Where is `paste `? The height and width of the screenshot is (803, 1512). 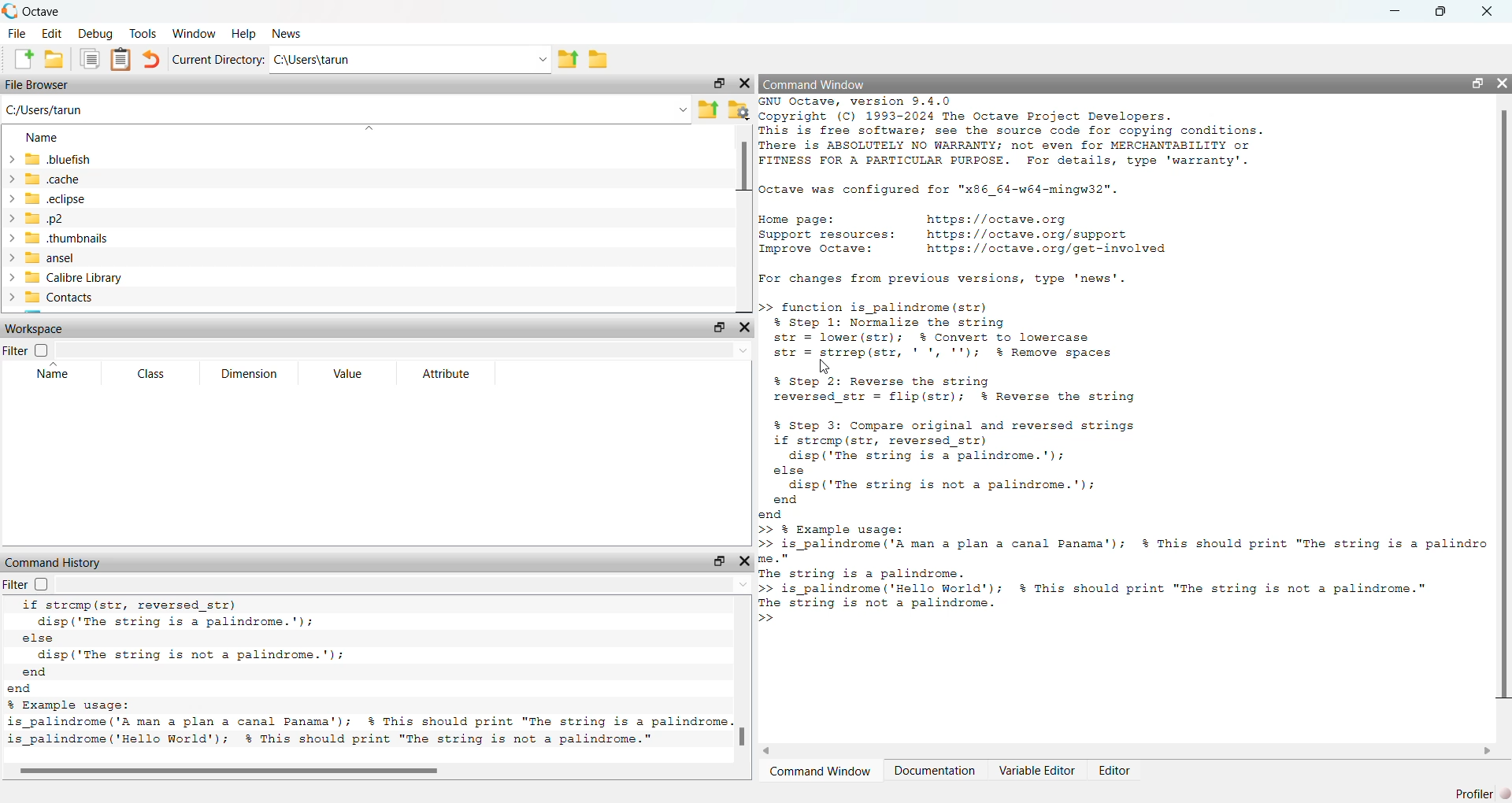
paste  is located at coordinates (123, 60).